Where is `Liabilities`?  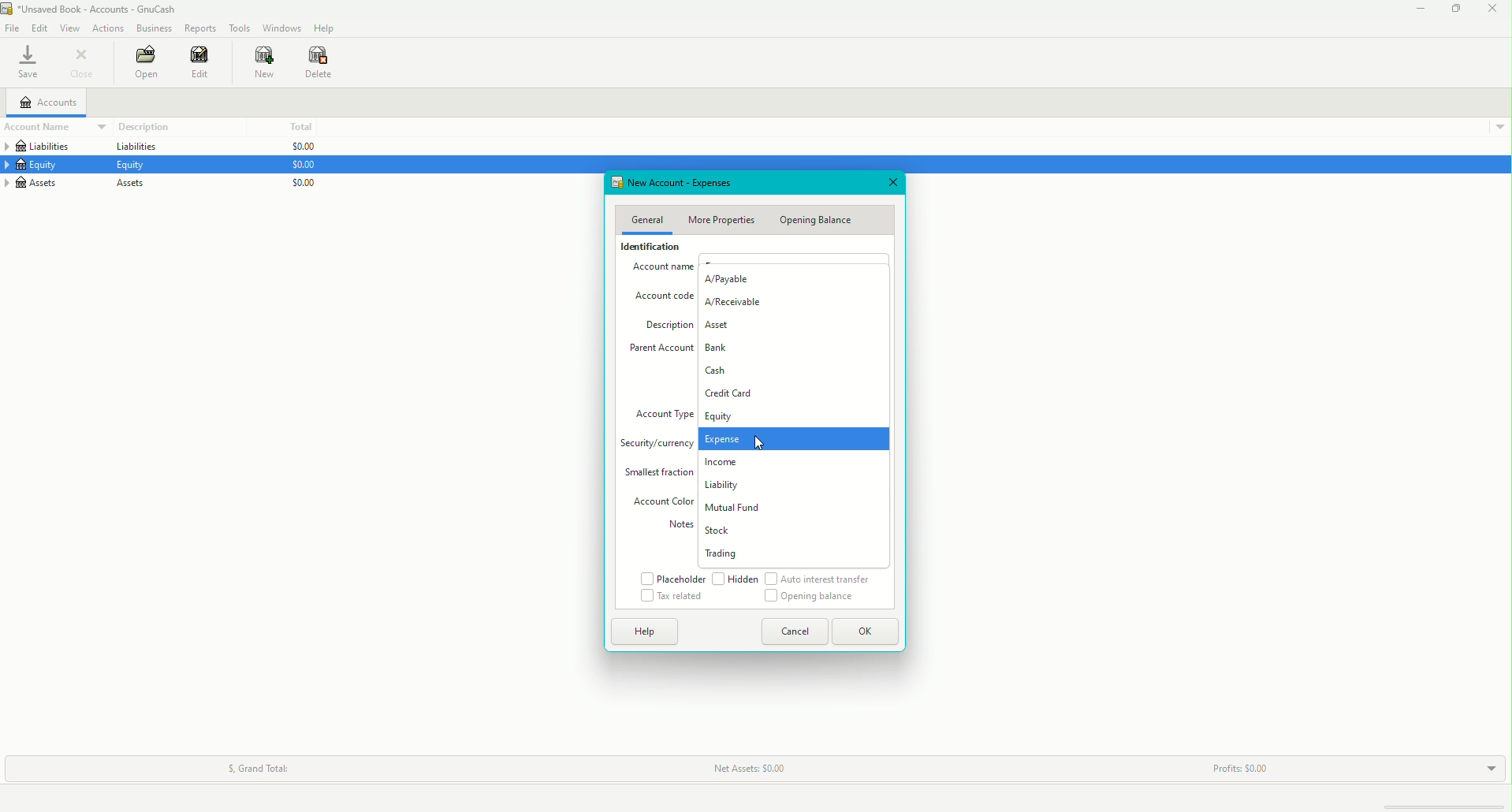
Liabilities is located at coordinates (134, 147).